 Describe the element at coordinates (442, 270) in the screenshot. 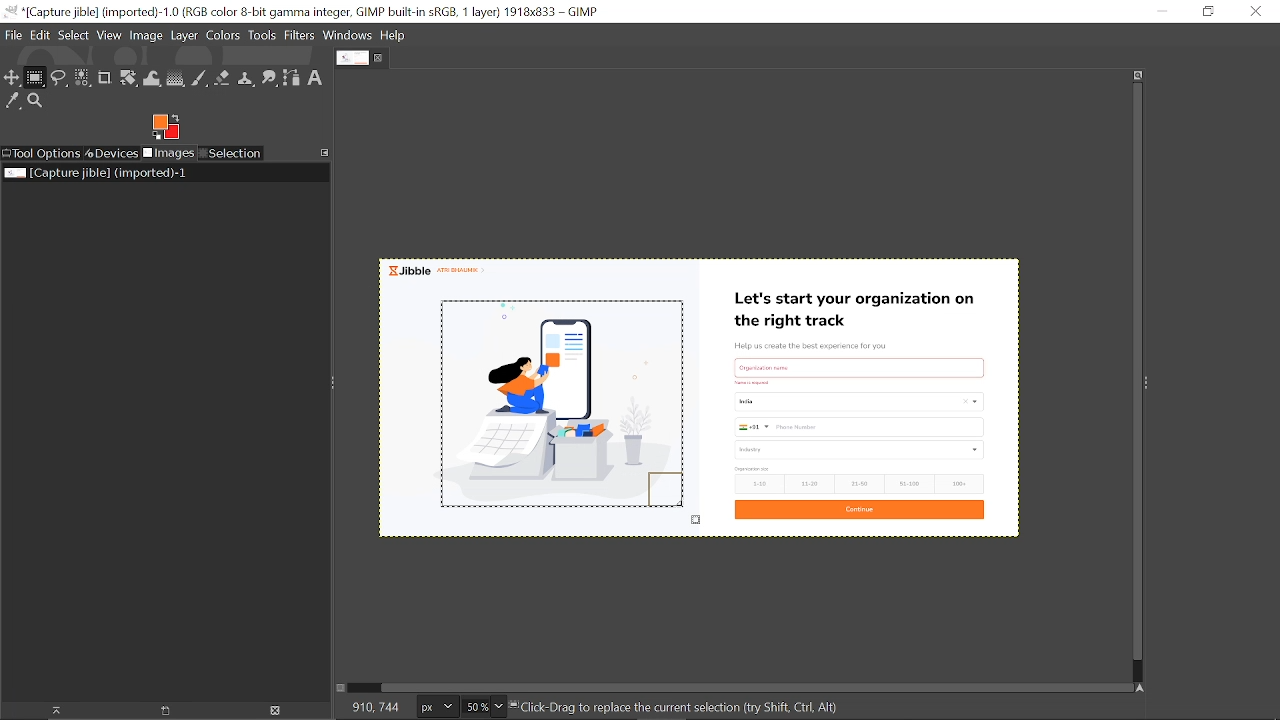

I see `Jibble` at that location.